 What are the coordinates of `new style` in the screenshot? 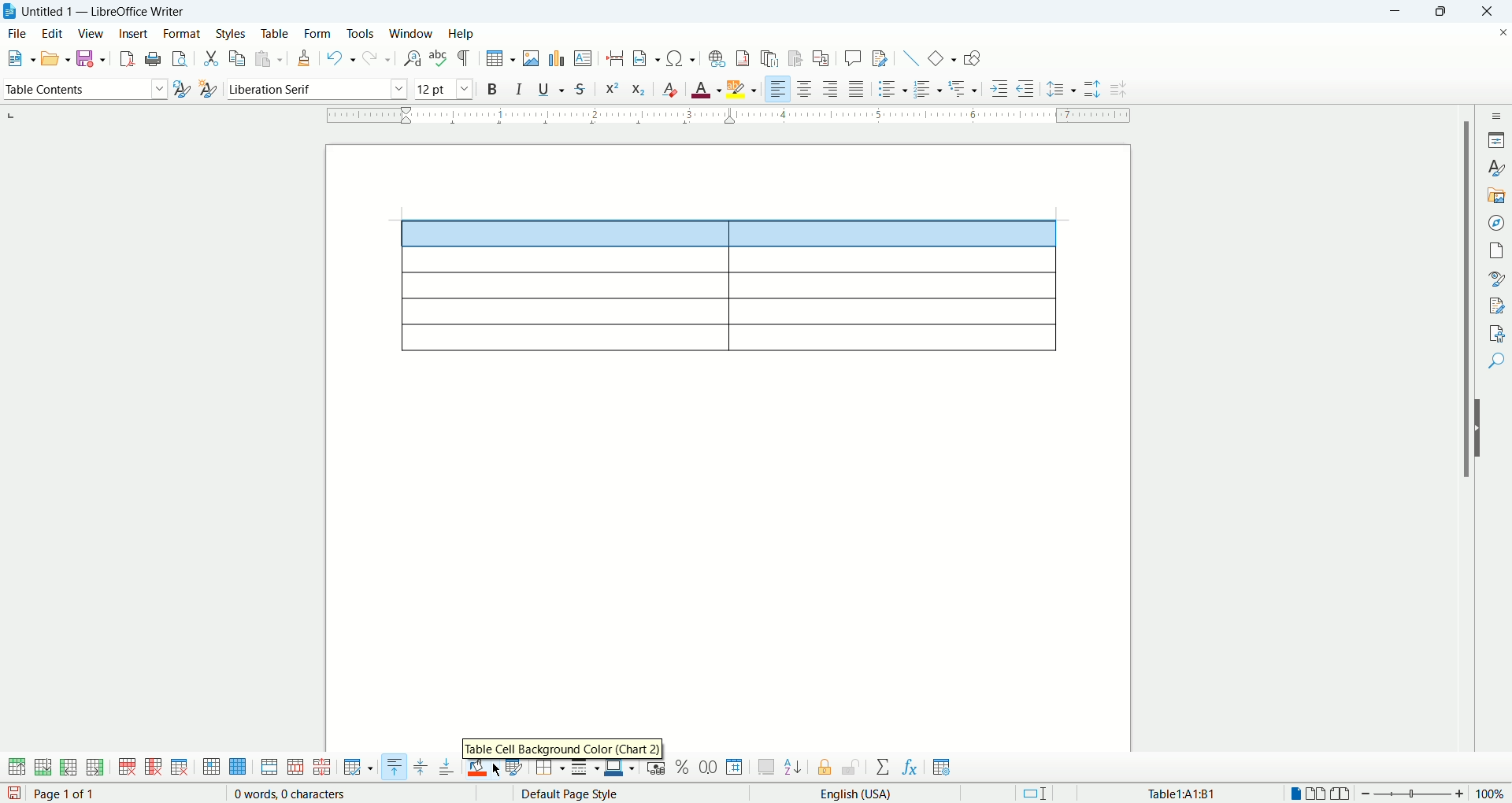 It's located at (207, 91).